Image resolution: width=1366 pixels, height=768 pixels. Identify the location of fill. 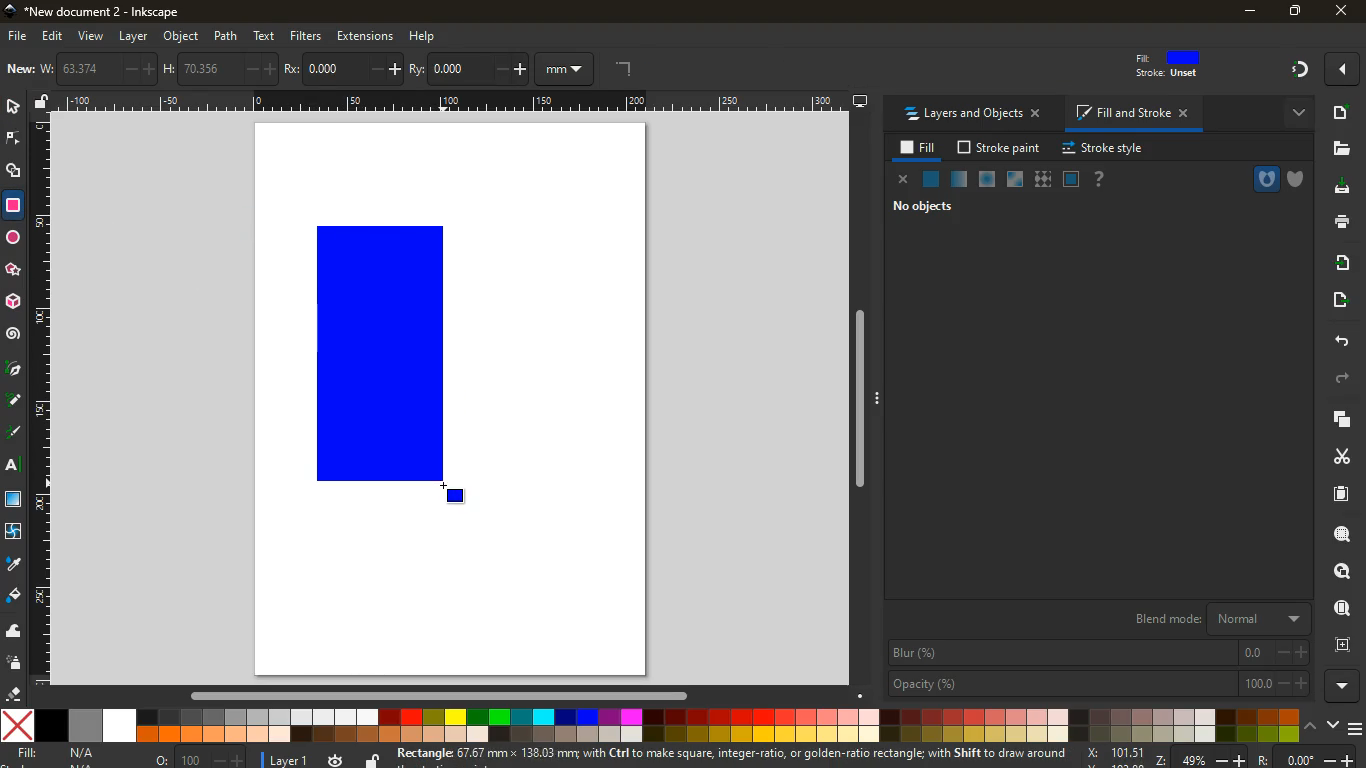
(64, 754).